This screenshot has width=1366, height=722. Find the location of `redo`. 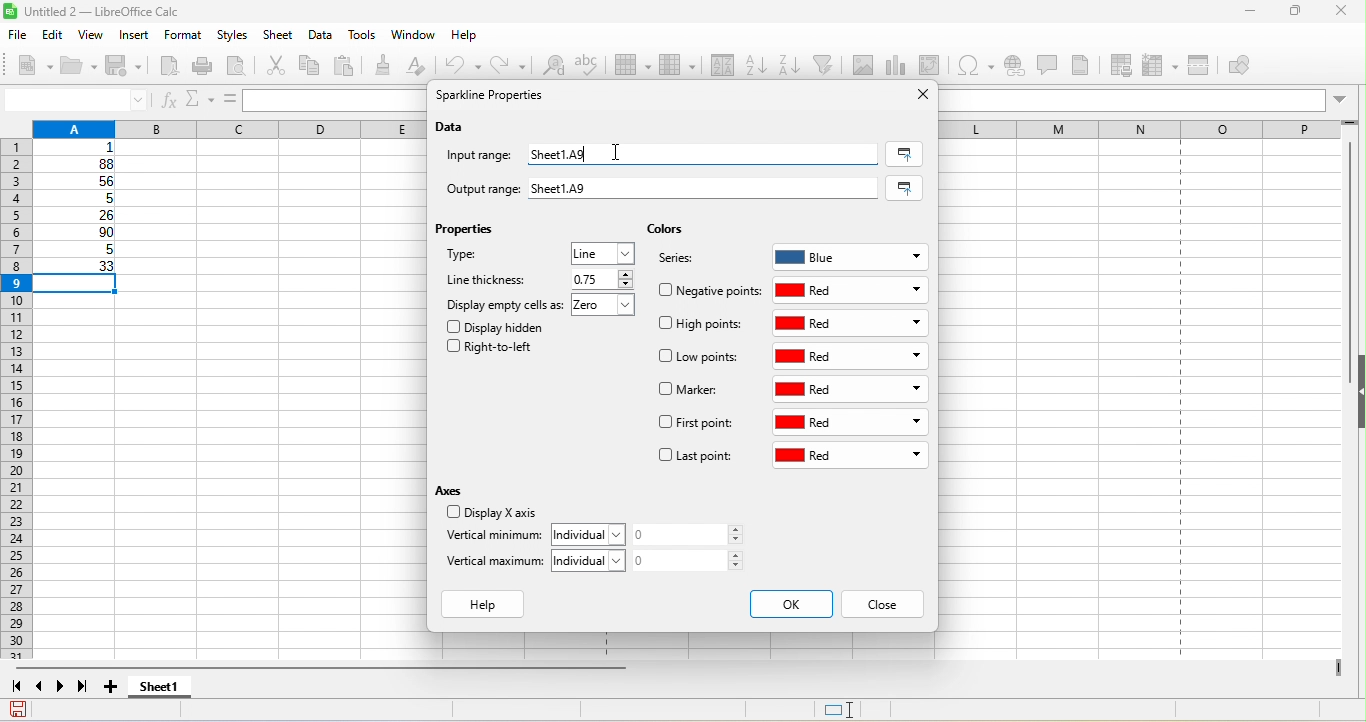

redo is located at coordinates (513, 65).